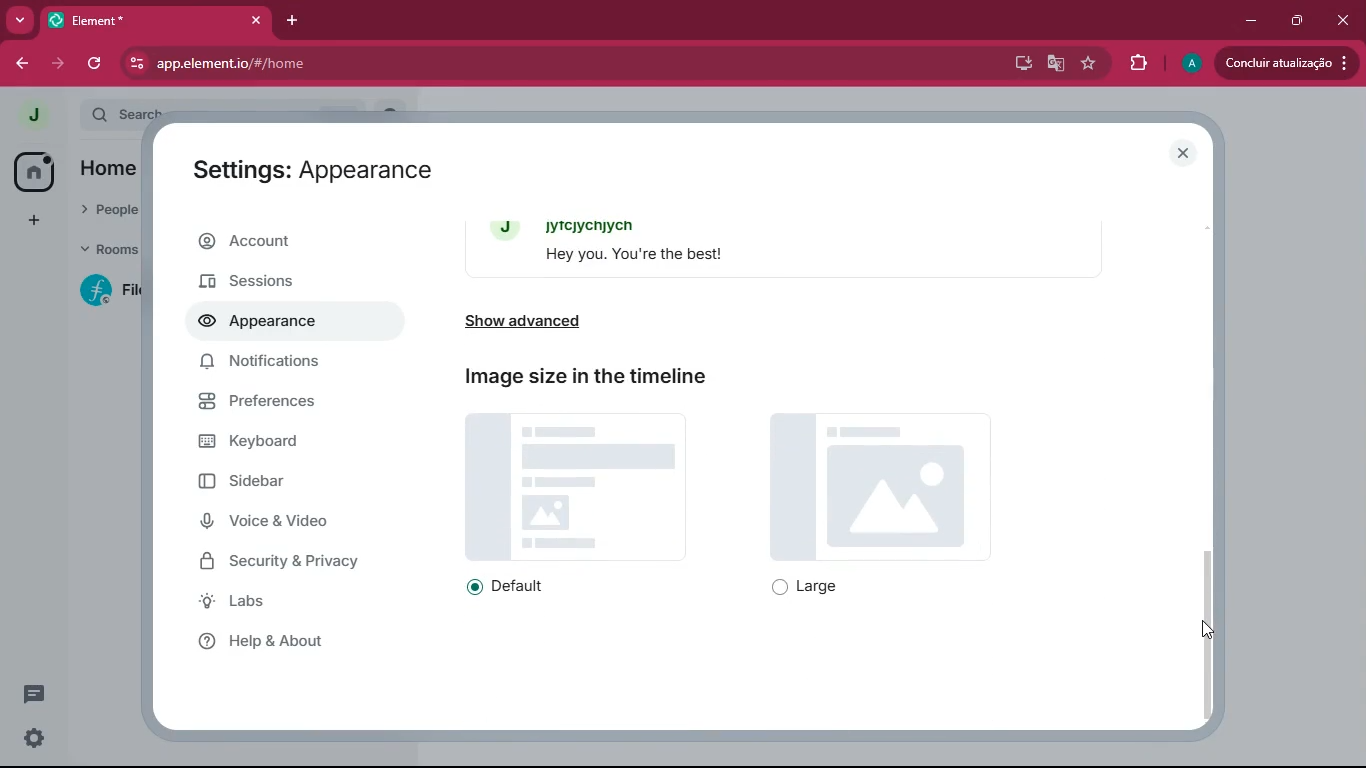 The image size is (1366, 768). Describe the element at coordinates (1193, 64) in the screenshot. I see `profile` at that location.